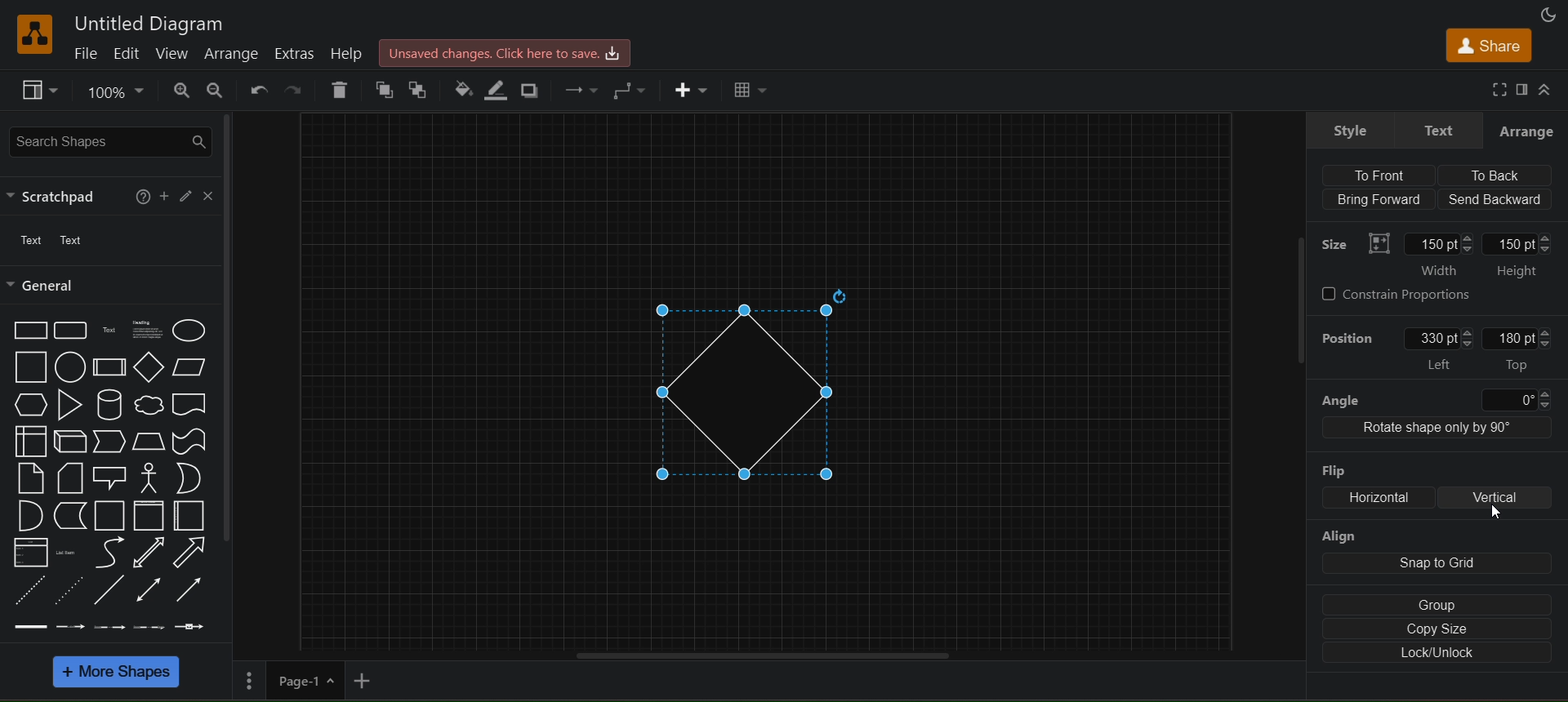  Describe the element at coordinates (257, 89) in the screenshot. I see `undo` at that location.